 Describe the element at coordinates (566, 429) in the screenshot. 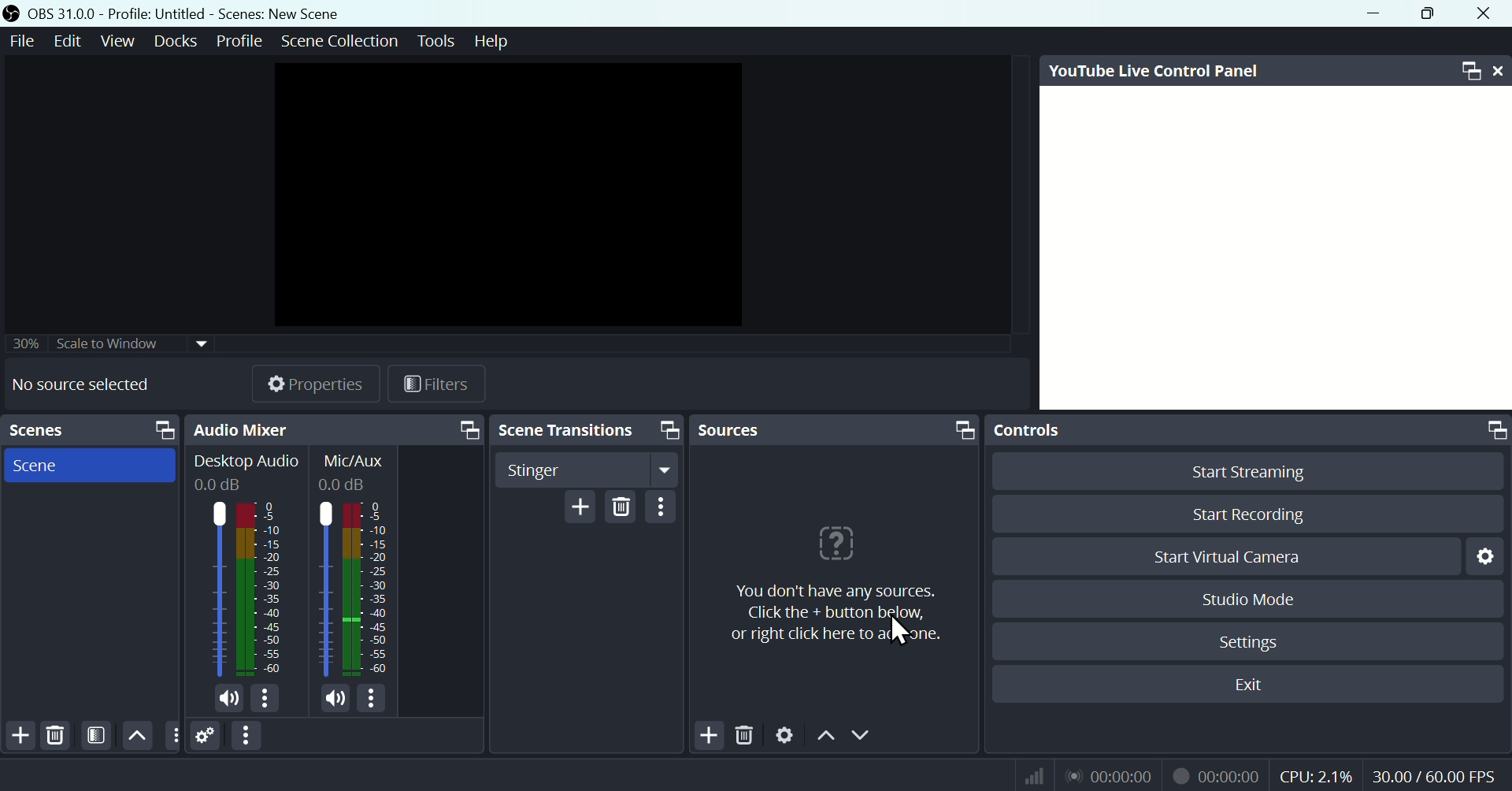

I see `Scene transitions` at that location.